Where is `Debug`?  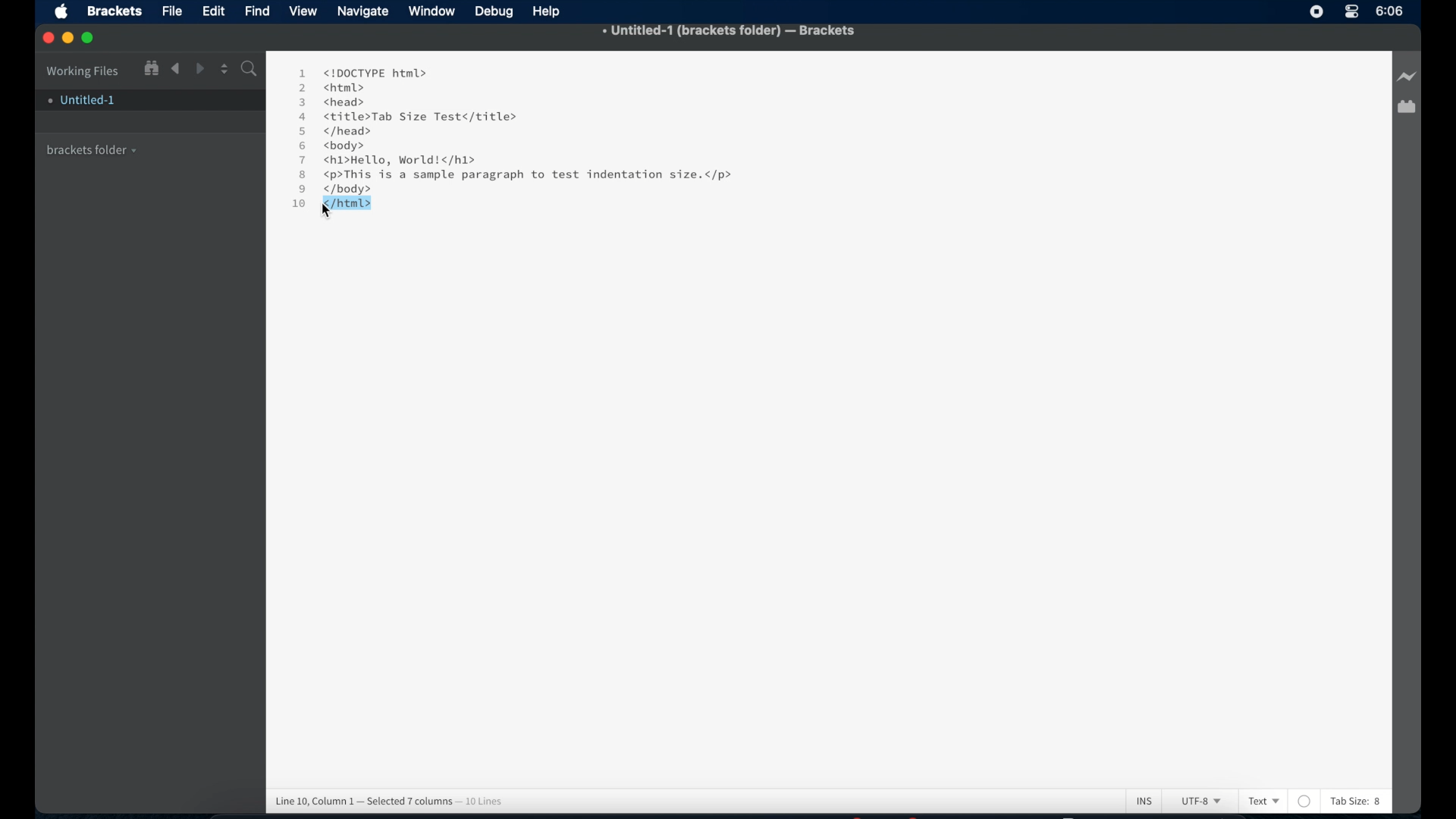 Debug is located at coordinates (496, 12).